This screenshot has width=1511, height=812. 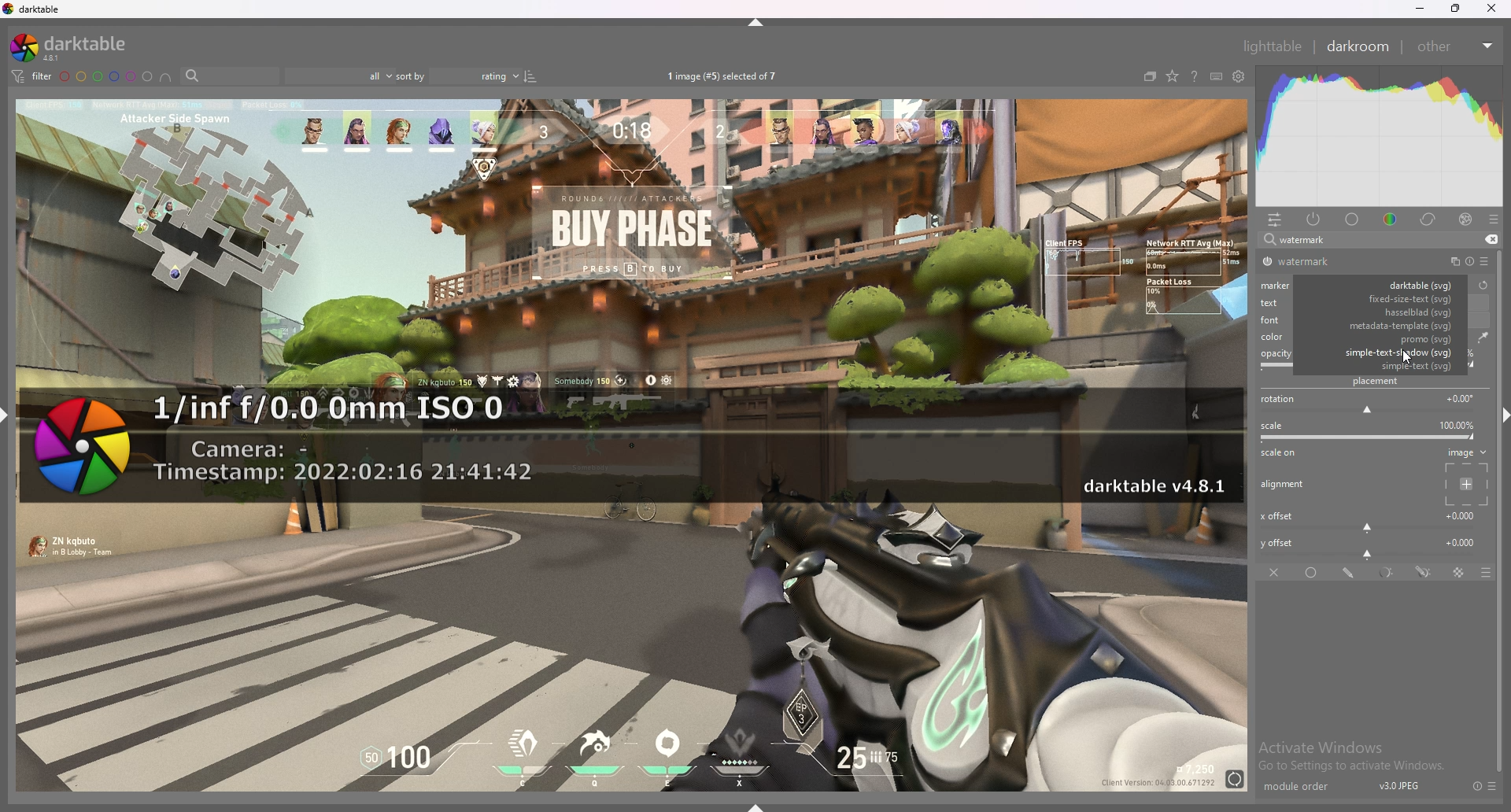 What do you see at coordinates (762, 803) in the screenshot?
I see `show` at bounding box center [762, 803].